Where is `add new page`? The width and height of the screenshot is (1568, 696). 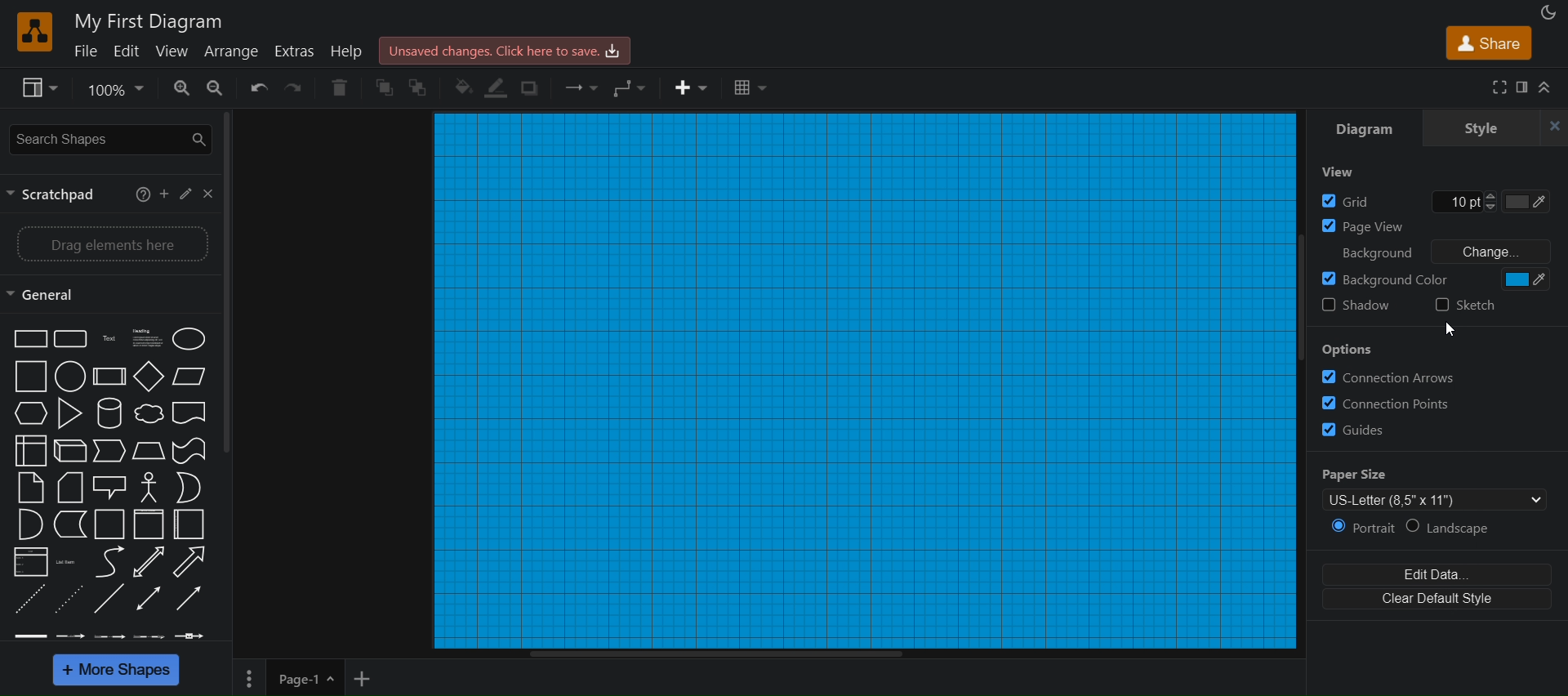 add new page is located at coordinates (367, 680).